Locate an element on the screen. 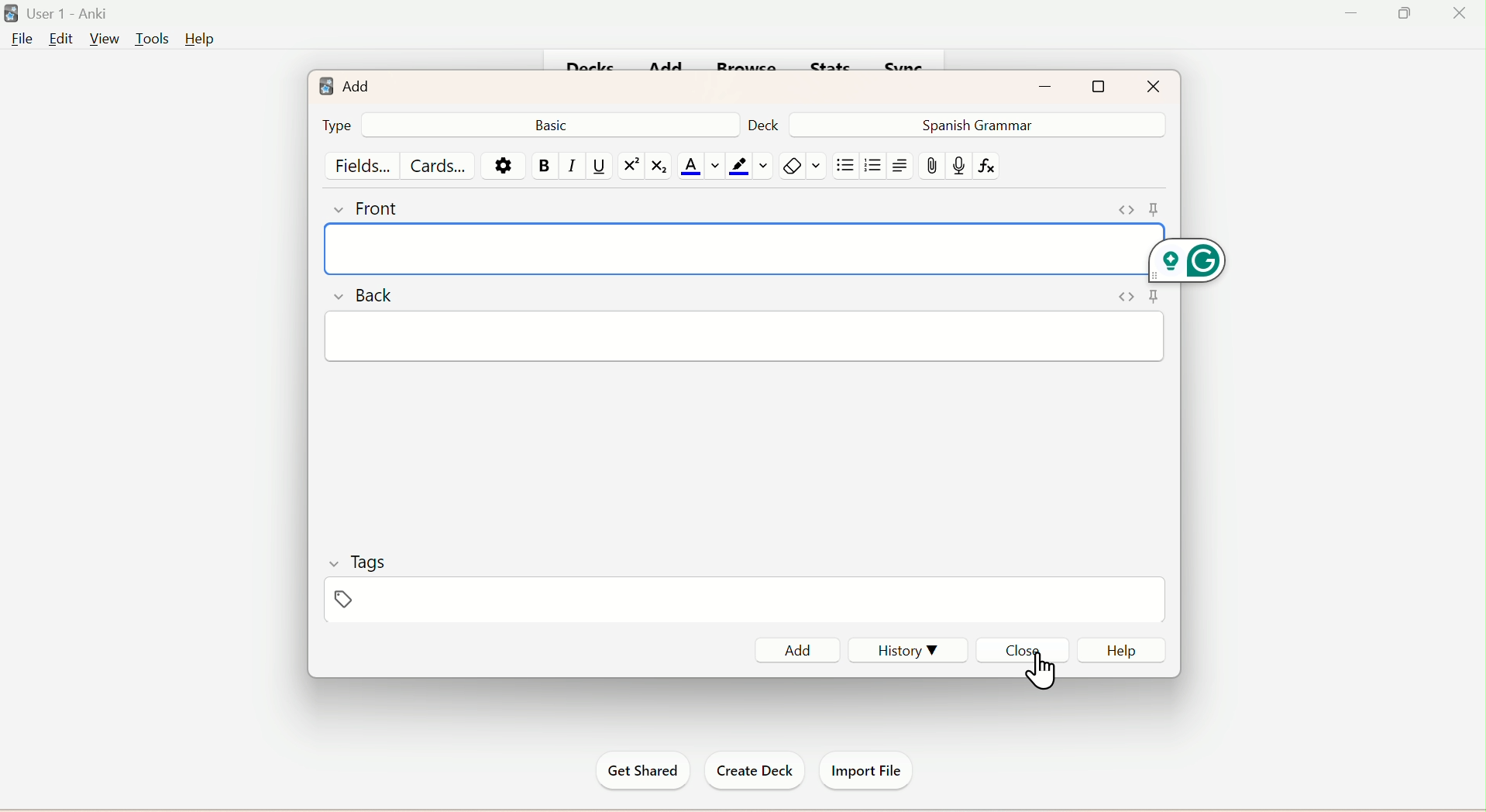 The image size is (1486, 812). Unorgganised List is located at coordinates (845, 166).